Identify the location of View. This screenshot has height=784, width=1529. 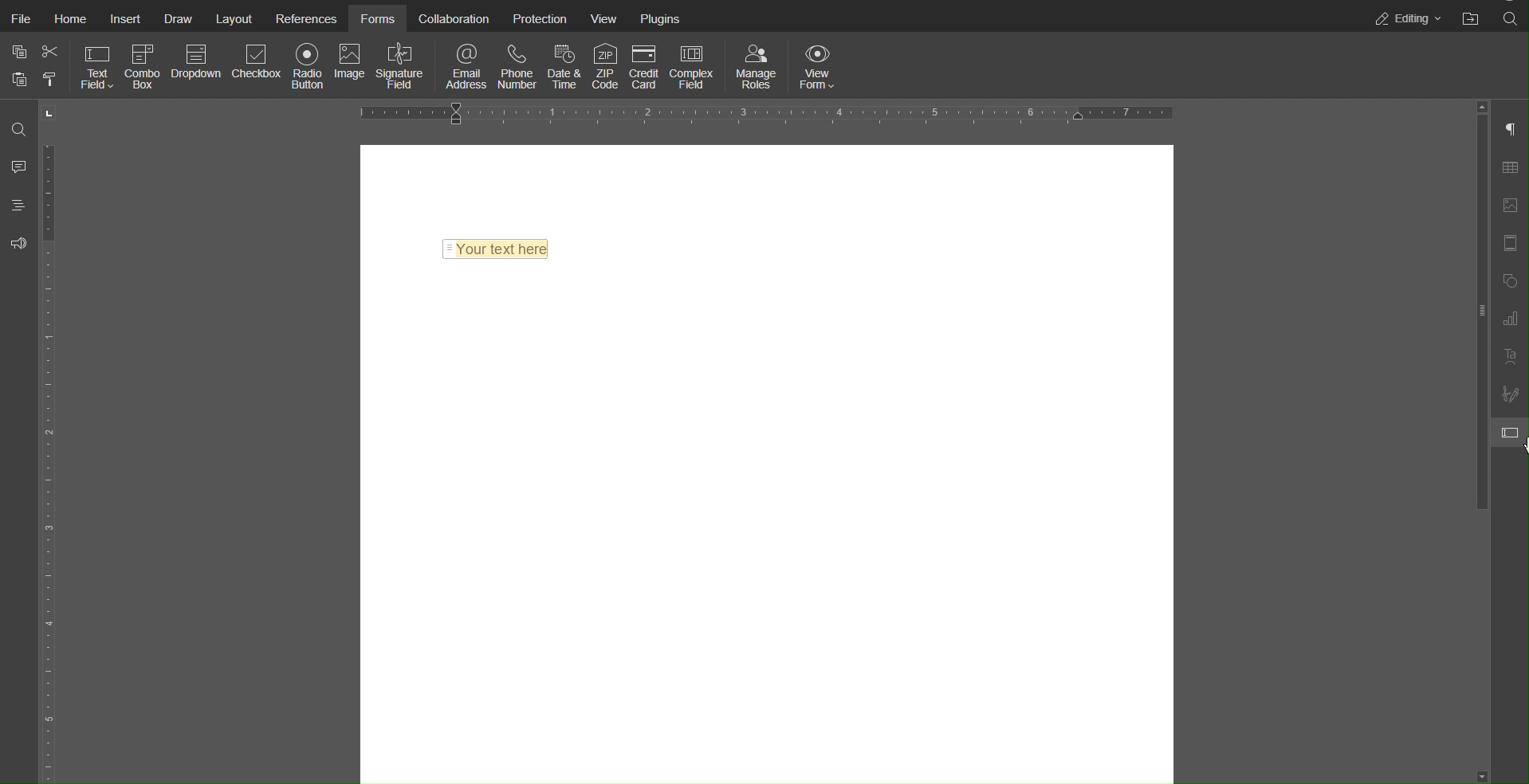
(605, 19).